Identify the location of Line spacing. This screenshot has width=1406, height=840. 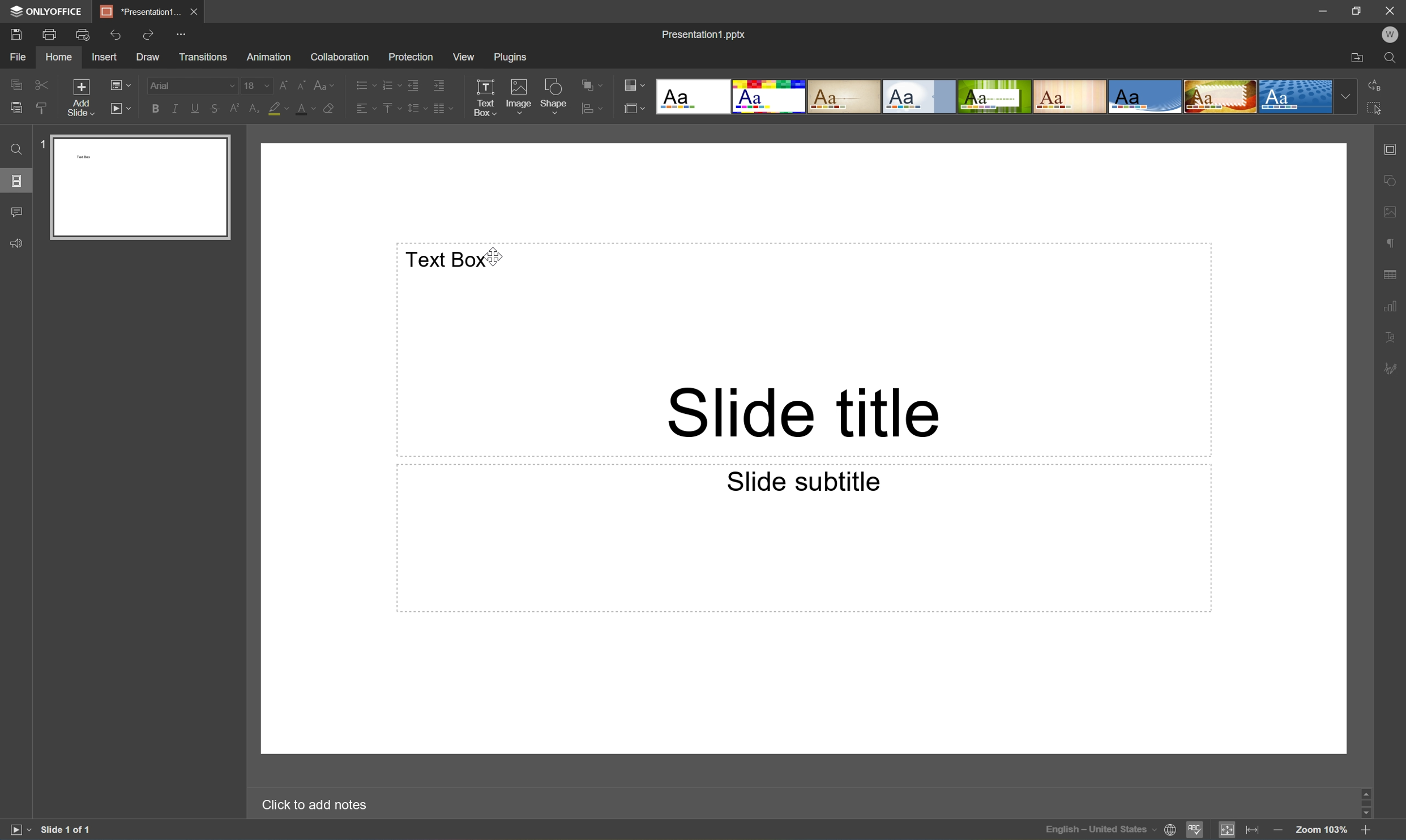
(412, 111).